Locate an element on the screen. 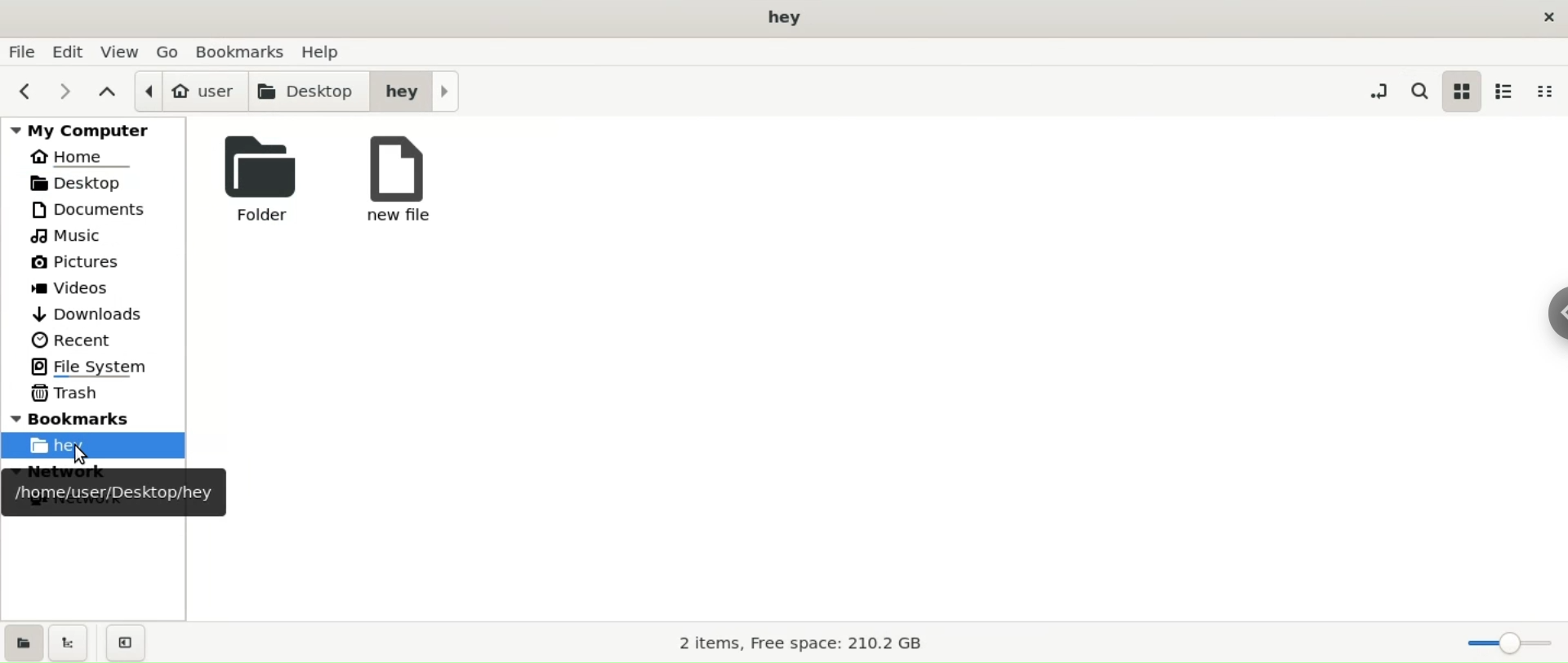 This screenshot has width=1568, height=663. show places is located at coordinates (28, 643).